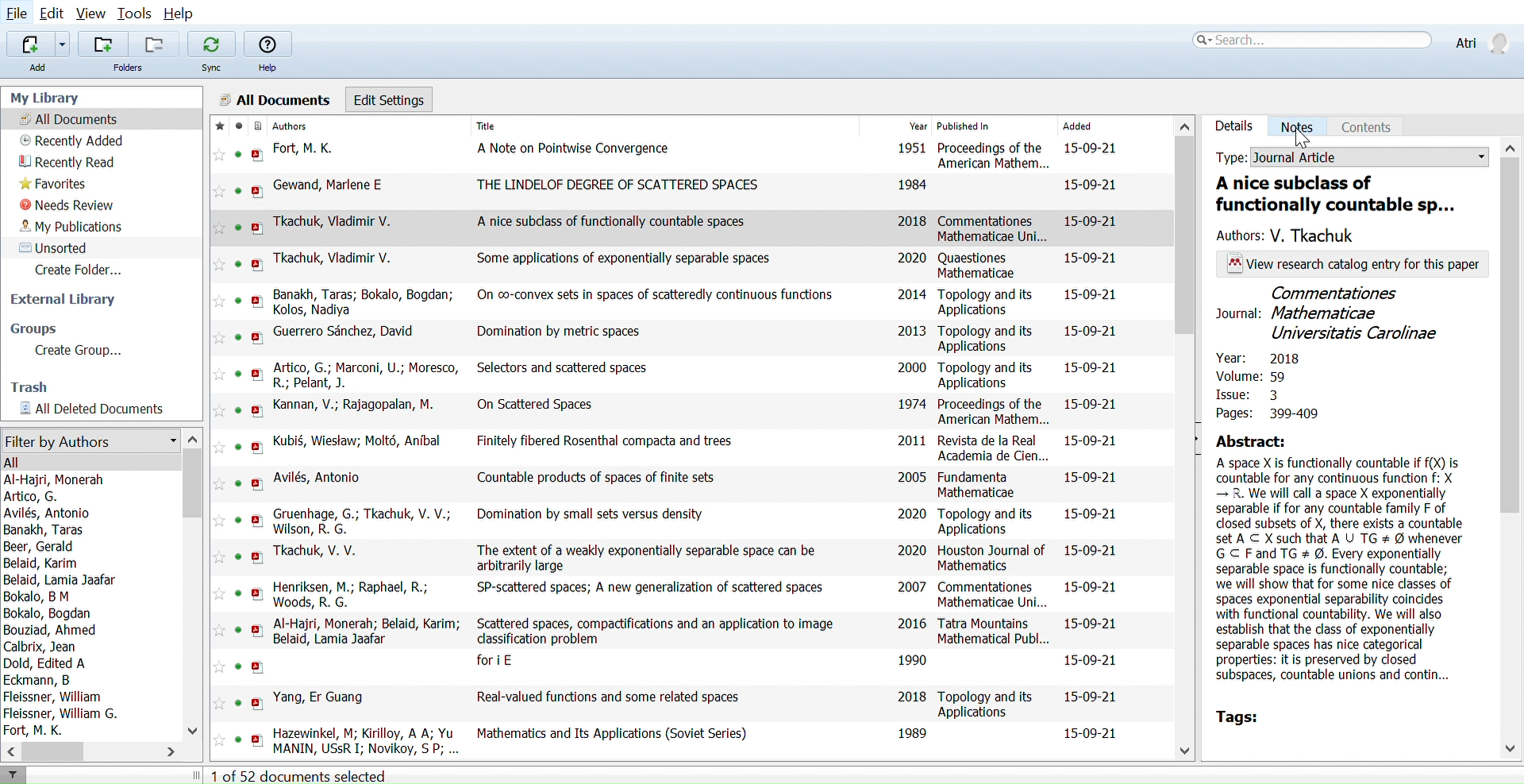 This screenshot has height=784, width=1524. I want to click on Avilés, Antonio, so click(317, 476).